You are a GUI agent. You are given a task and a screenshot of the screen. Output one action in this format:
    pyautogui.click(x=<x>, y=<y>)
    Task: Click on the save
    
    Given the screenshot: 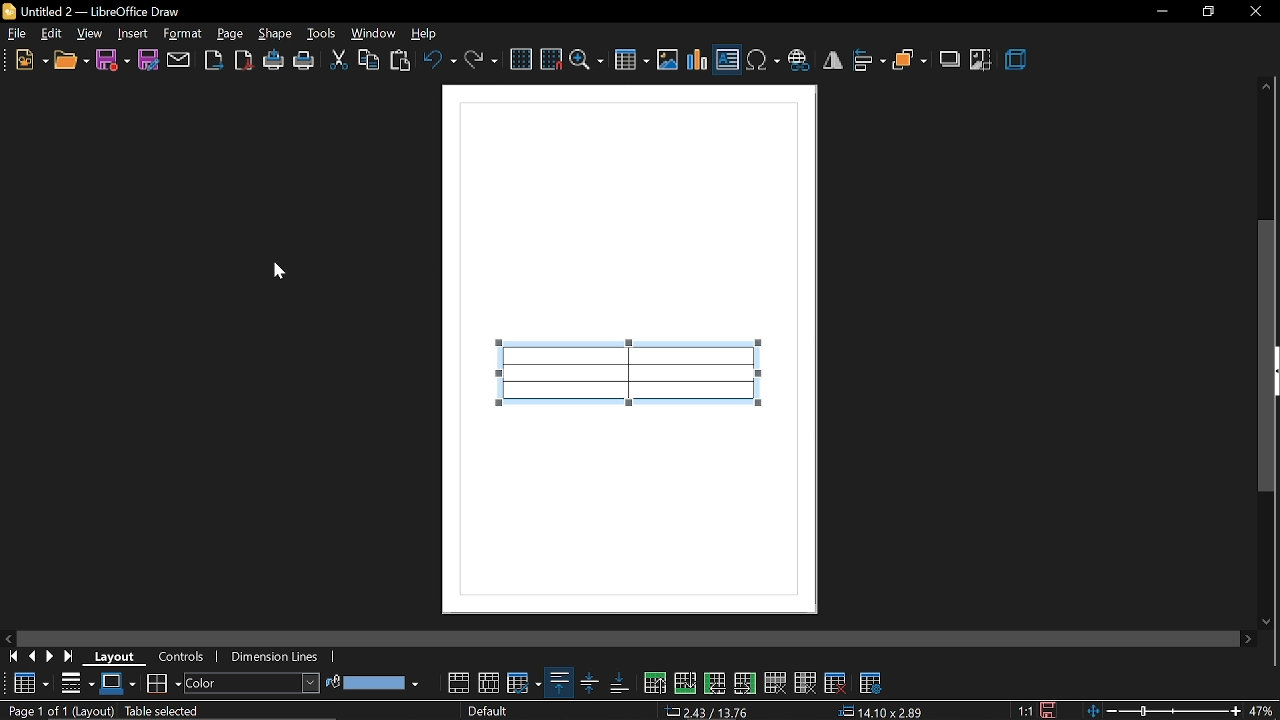 What is the action you would take?
    pyautogui.click(x=1046, y=710)
    